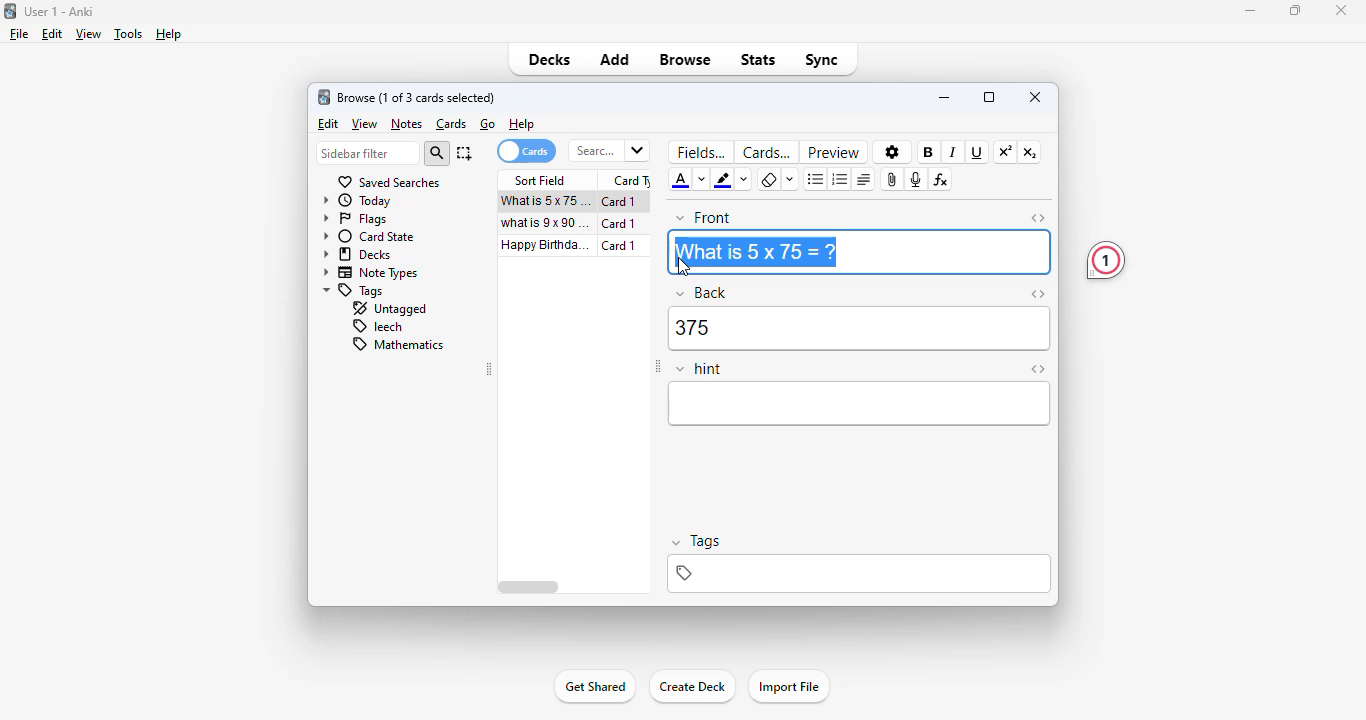  What do you see at coordinates (1038, 369) in the screenshot?
I see `toggle HTML editor` at bounding box center [1038, 369].